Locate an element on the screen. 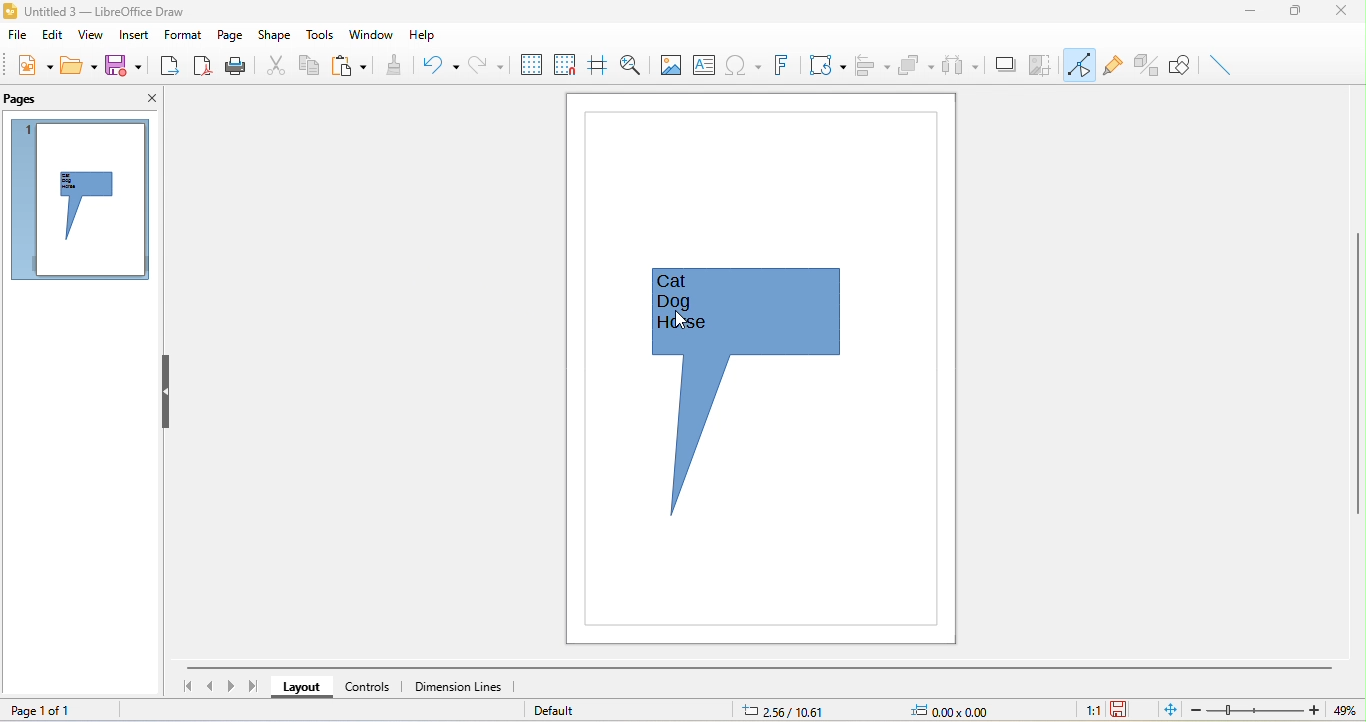 The height and width of the screenshot is (722, 1366). layout is located at coordinates (304, 688).